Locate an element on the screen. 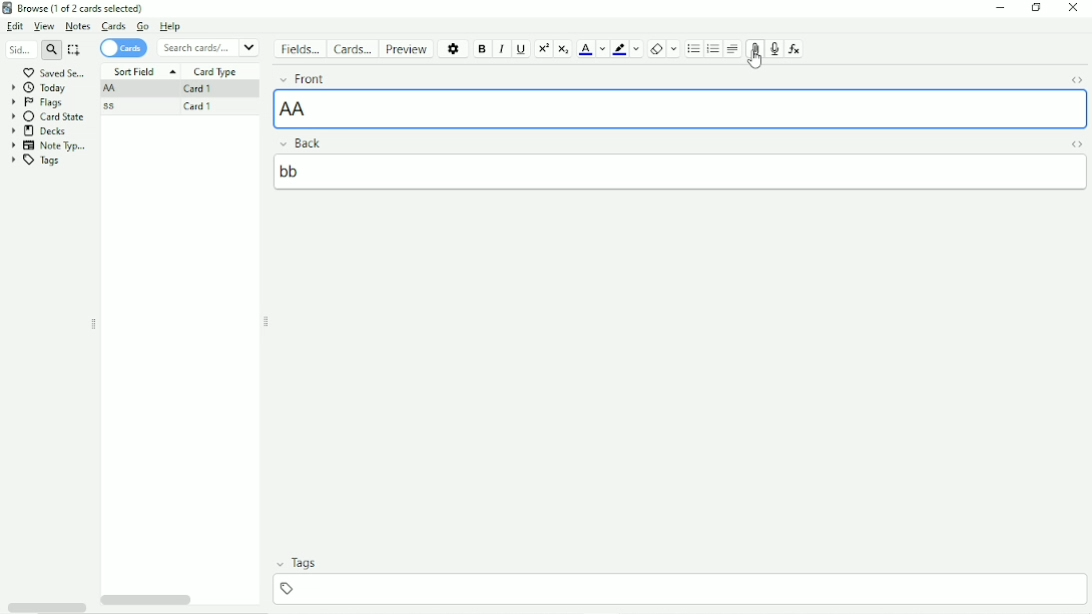 This screenshot has width=1092, height=614. Help is located at coordinates (170, 26).